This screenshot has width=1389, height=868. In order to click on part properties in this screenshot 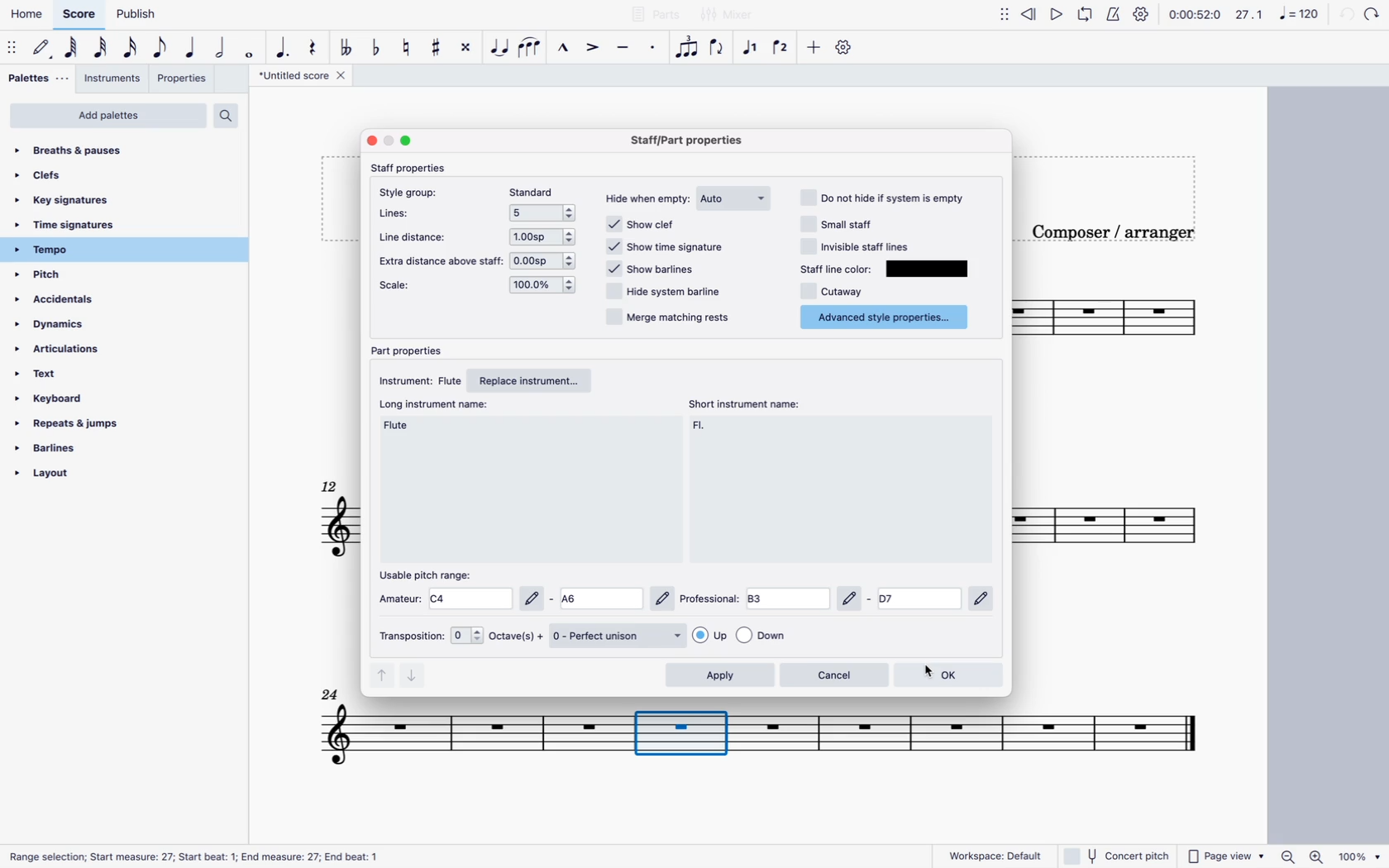, I will do `click(412, 347)`.